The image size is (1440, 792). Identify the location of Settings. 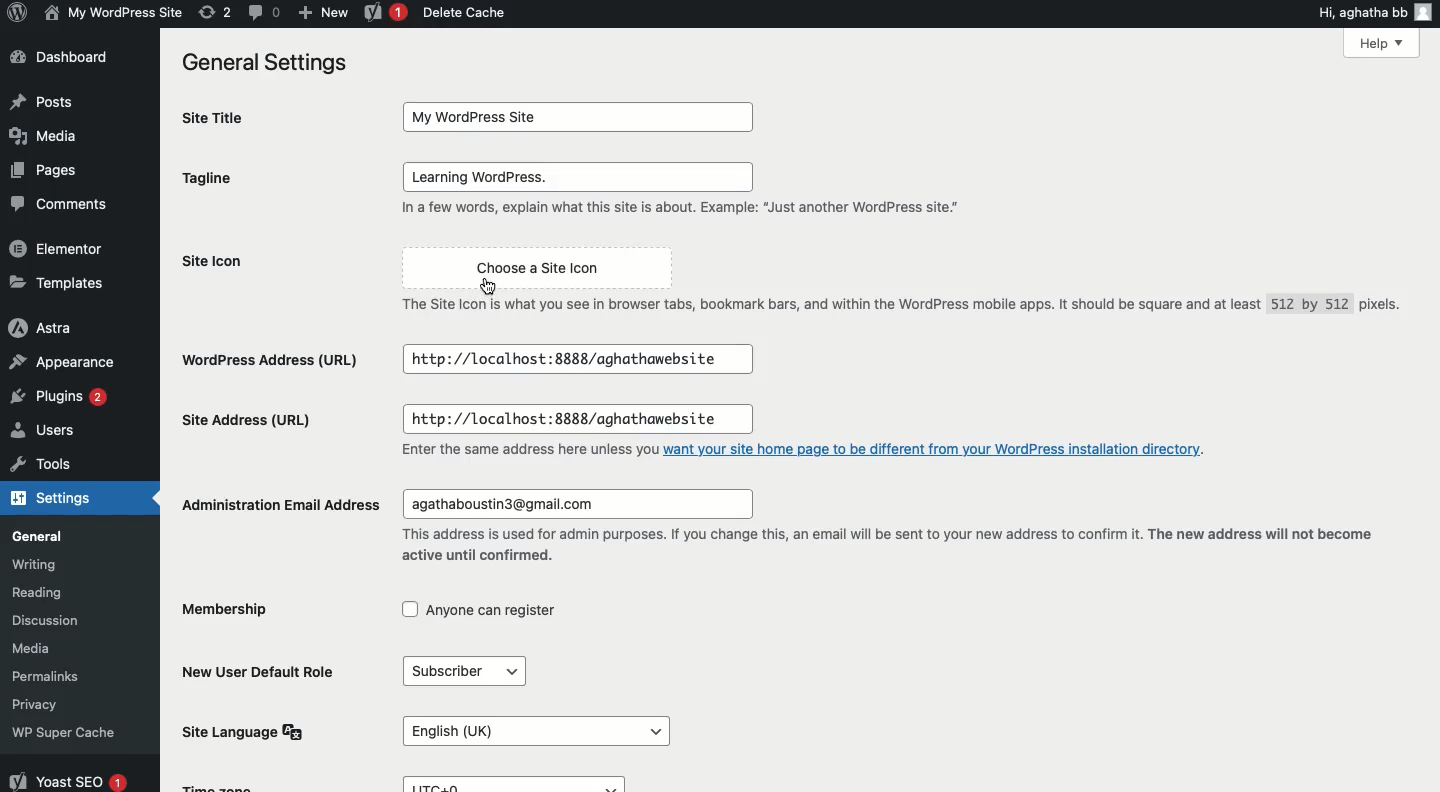
(59, 497).